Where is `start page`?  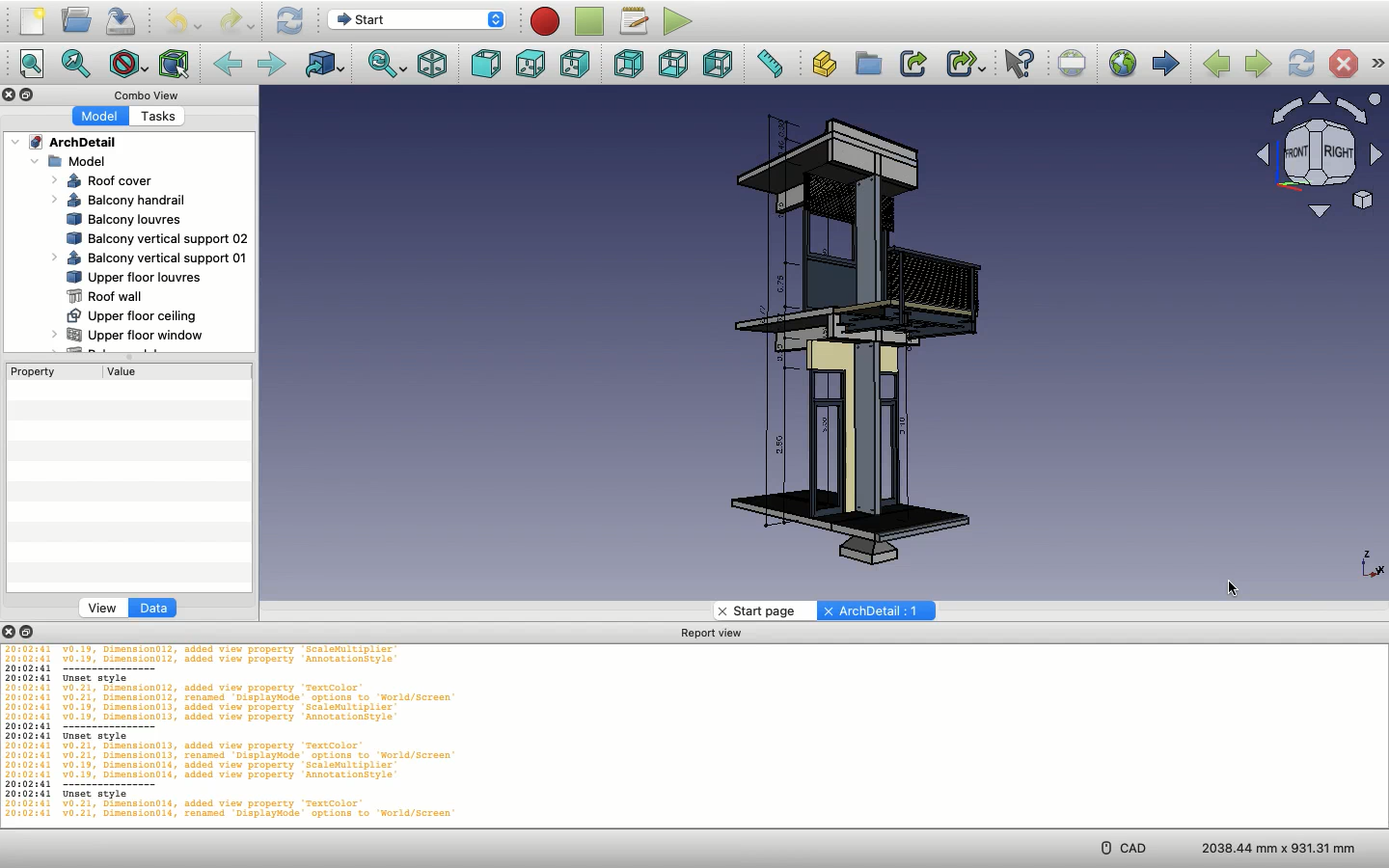
start page is located at coordinates (767, 609).